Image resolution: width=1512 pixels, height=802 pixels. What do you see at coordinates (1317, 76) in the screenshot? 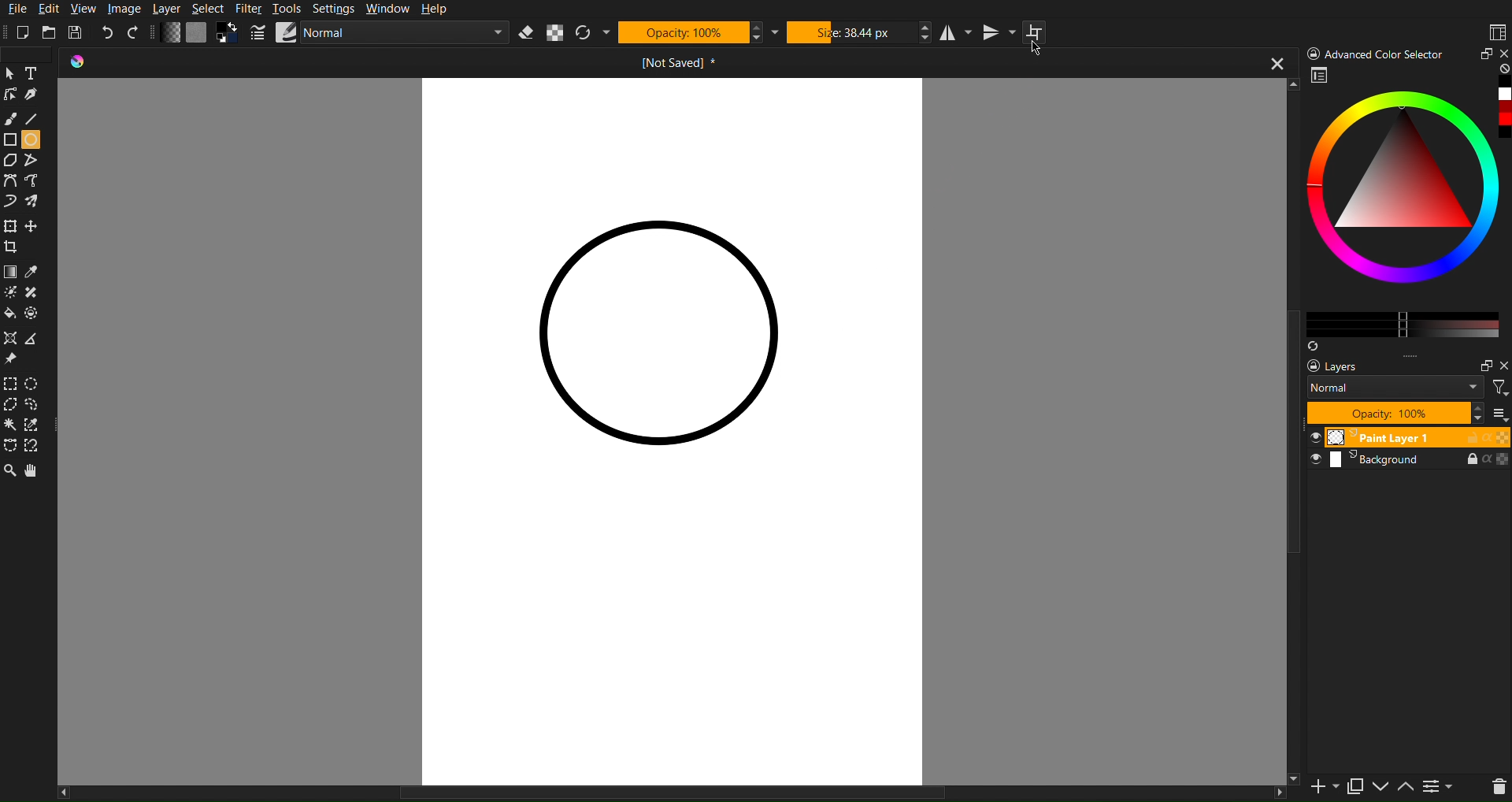
I see `workspace` at bounding box center [1317, 76].